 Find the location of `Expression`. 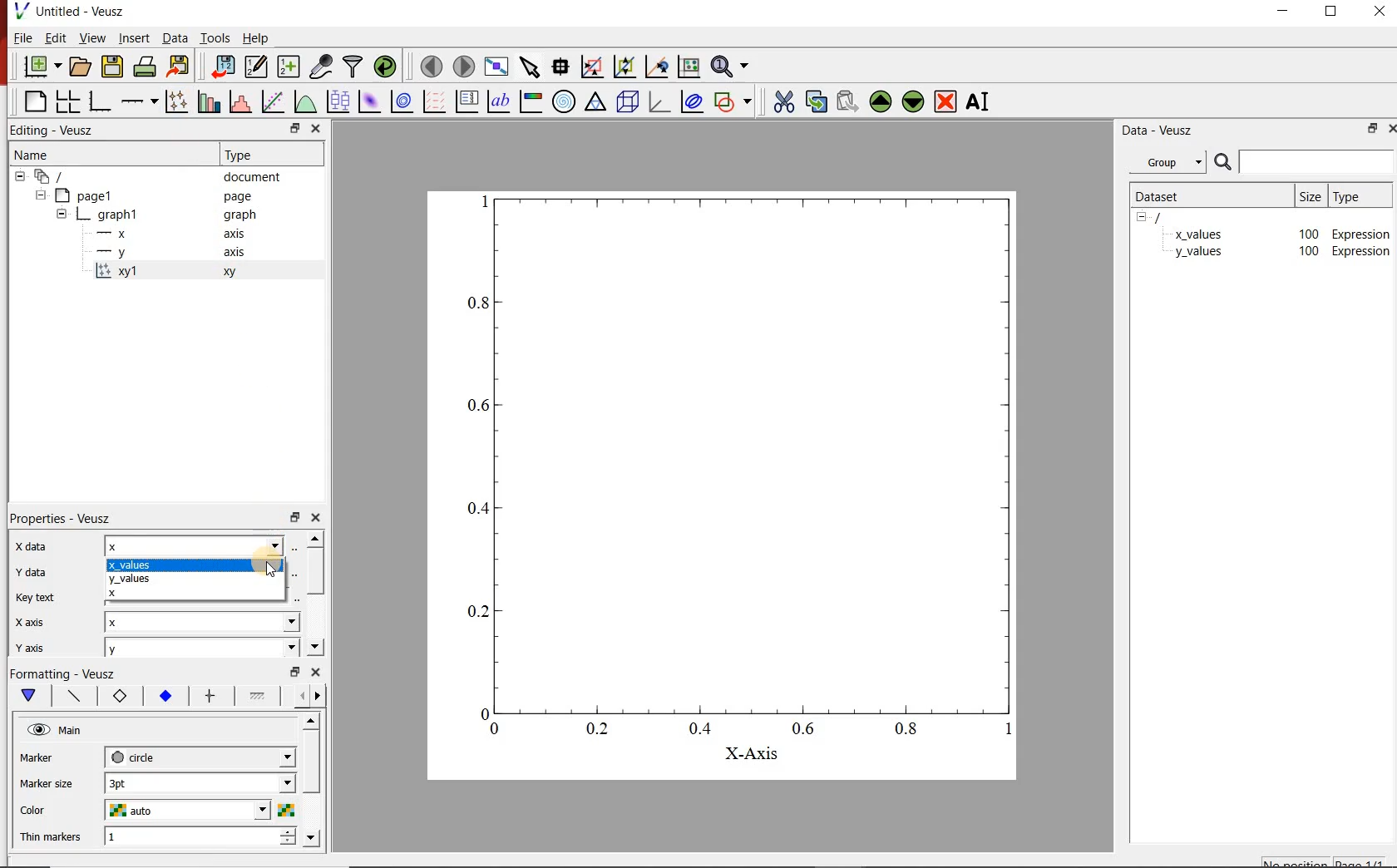

Expression is located at coordinates (1361, 252).